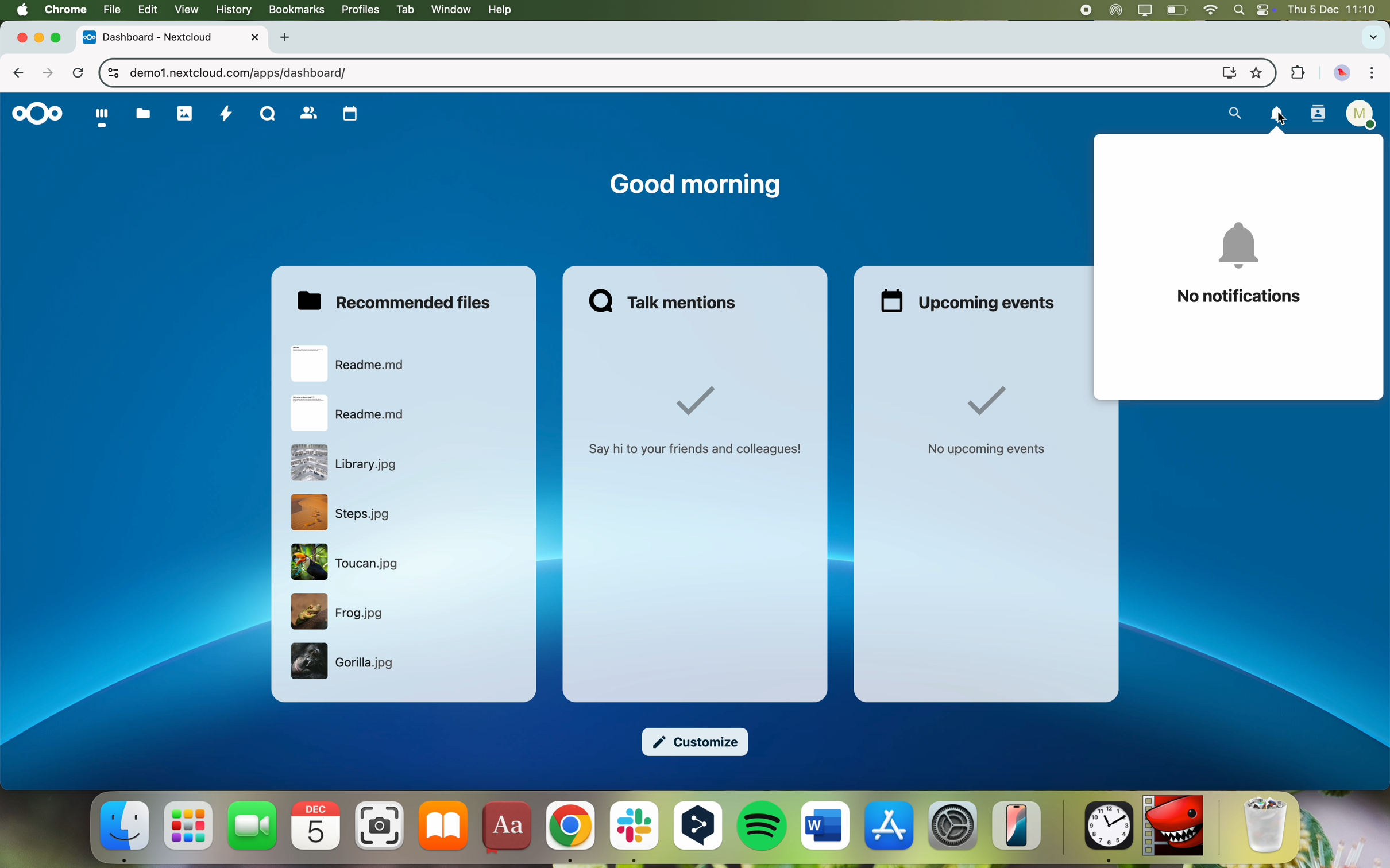 The width and height of the screenshot is (1390, 868). Describe the element at coordinates (667, 300) in the screenshot. I see `talk mentions` at that location.